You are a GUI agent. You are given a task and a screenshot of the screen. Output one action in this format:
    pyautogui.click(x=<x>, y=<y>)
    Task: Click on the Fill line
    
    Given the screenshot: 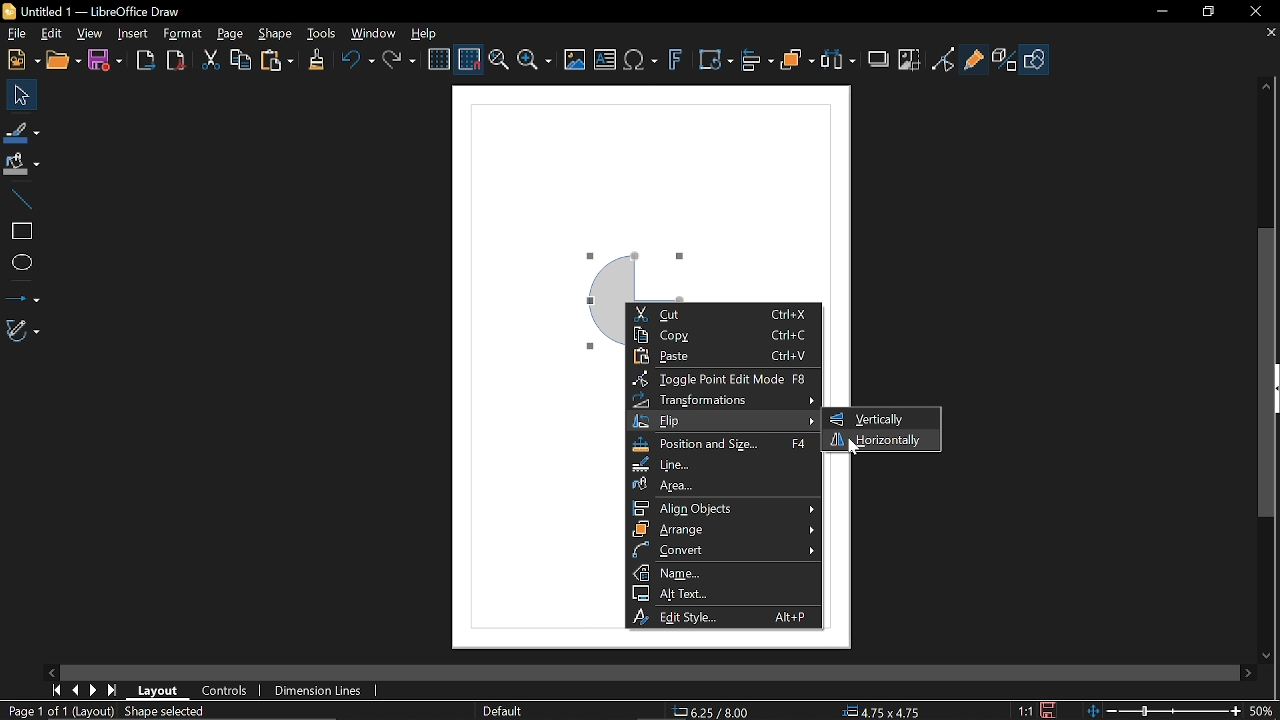 What is the action you would take?
    pyautogui.click(x=23, y=132)
    